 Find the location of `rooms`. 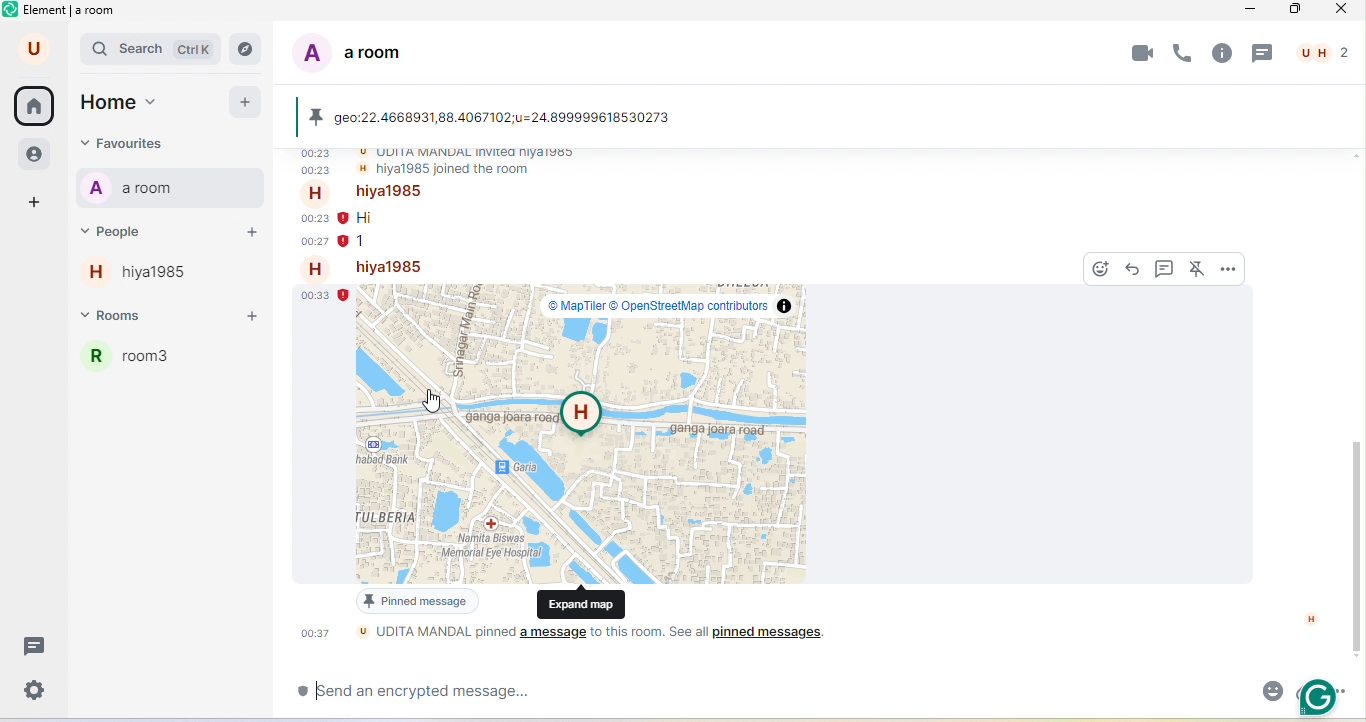

rooms is located at coordinates (135, 318).